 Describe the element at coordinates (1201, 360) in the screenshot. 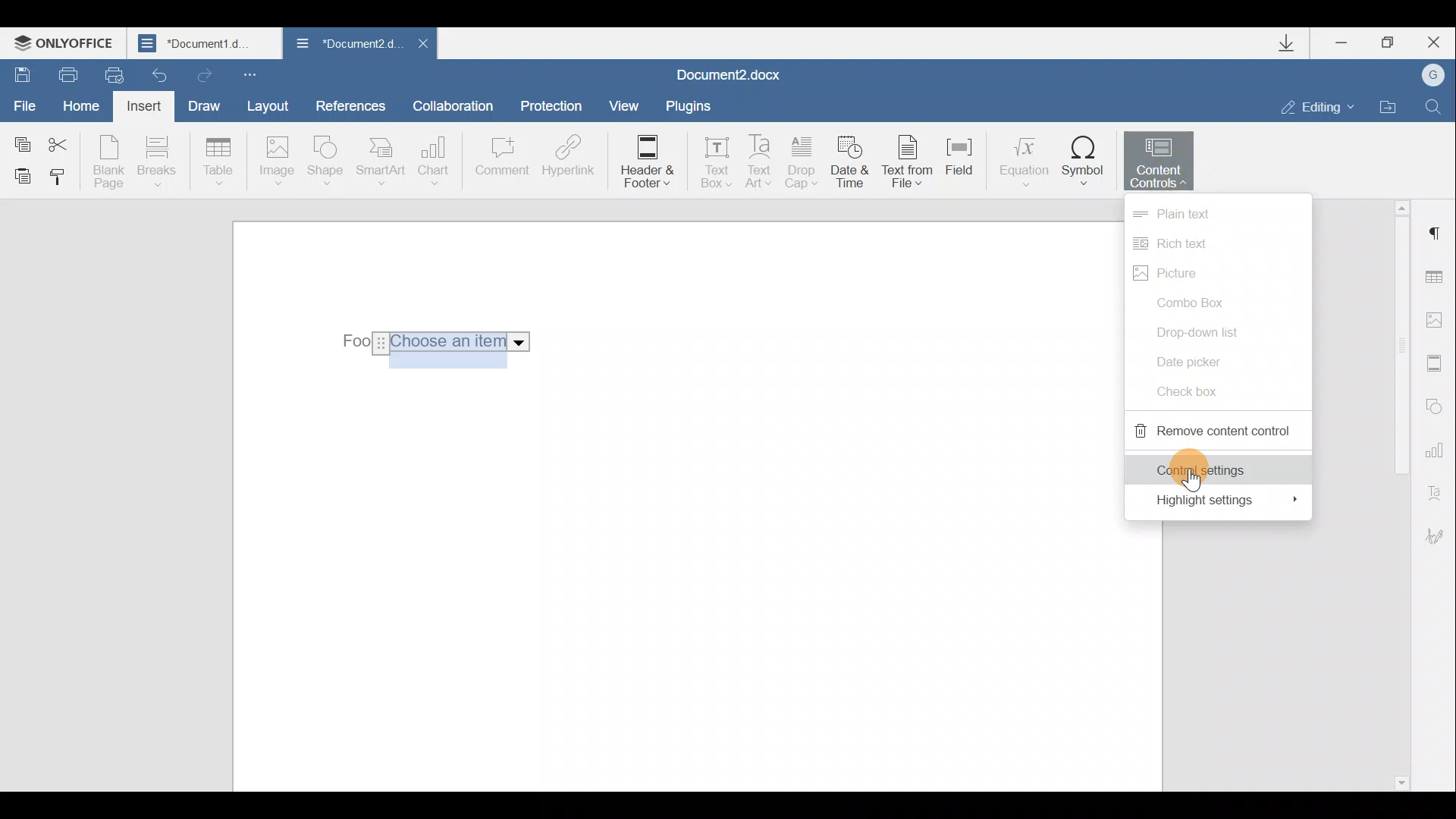

I see `Date picker` at that location.